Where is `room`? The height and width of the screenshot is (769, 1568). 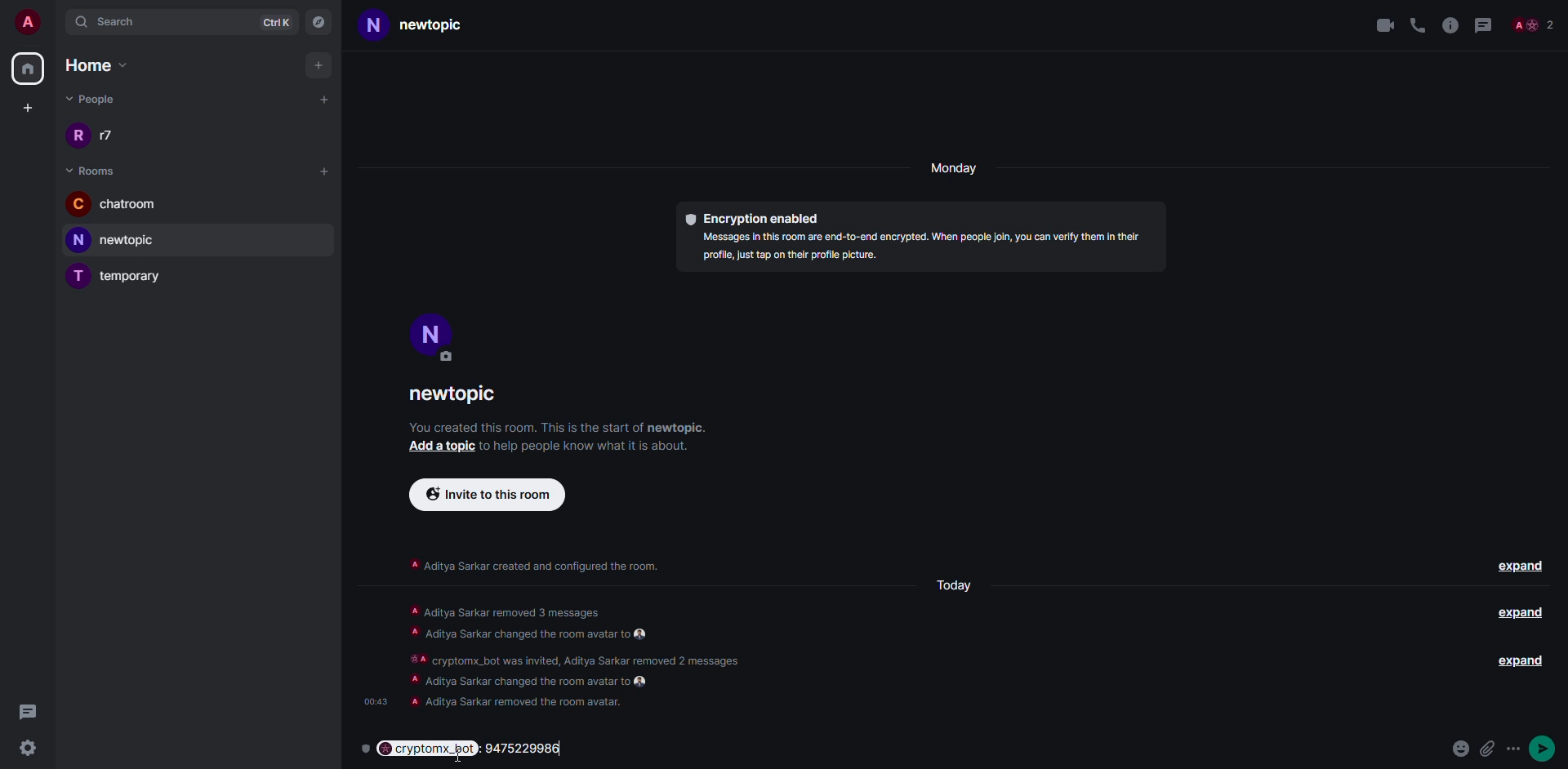
room is located at coordinates (95, 171).